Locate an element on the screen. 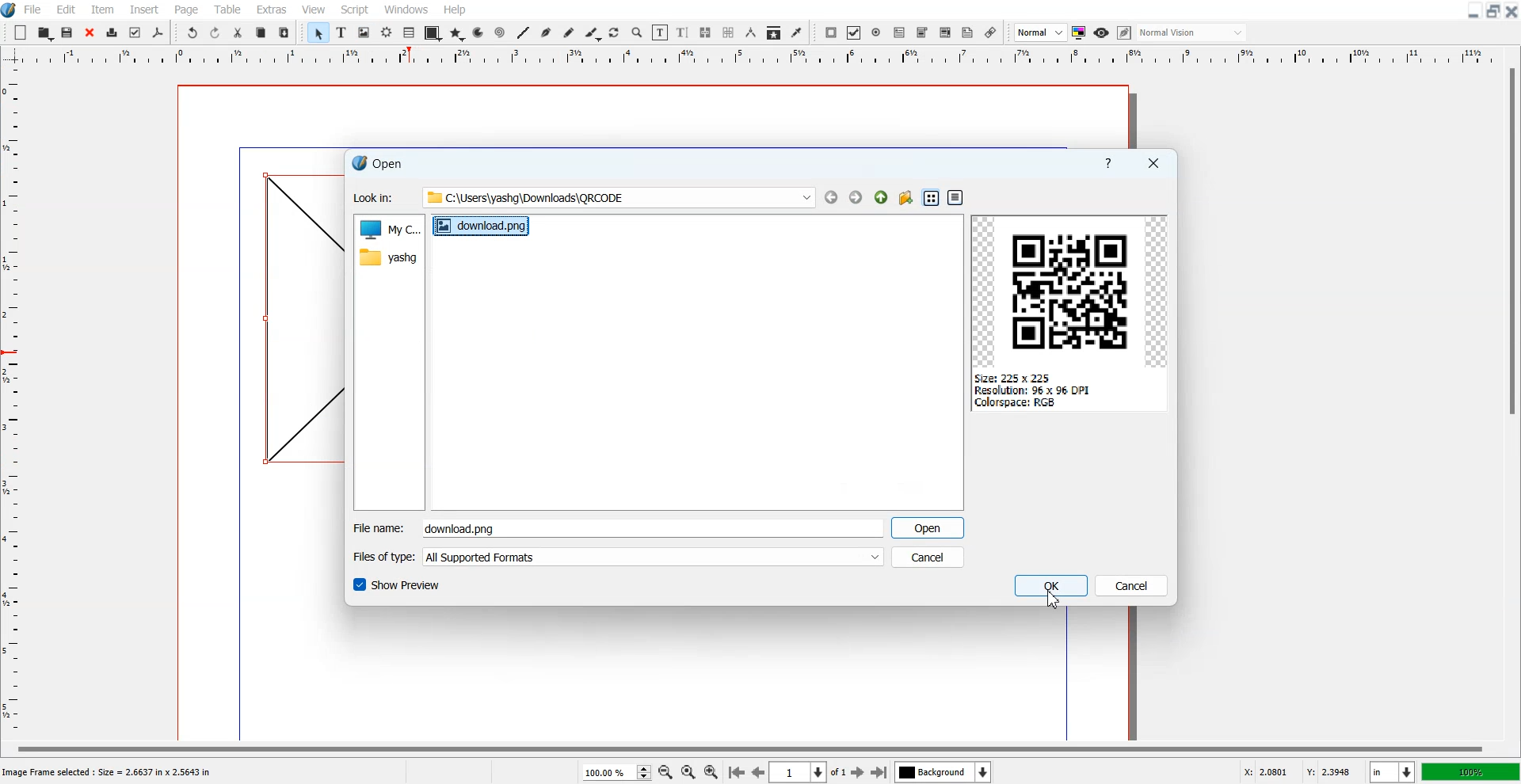  Page is located at coordinates (188, 9).